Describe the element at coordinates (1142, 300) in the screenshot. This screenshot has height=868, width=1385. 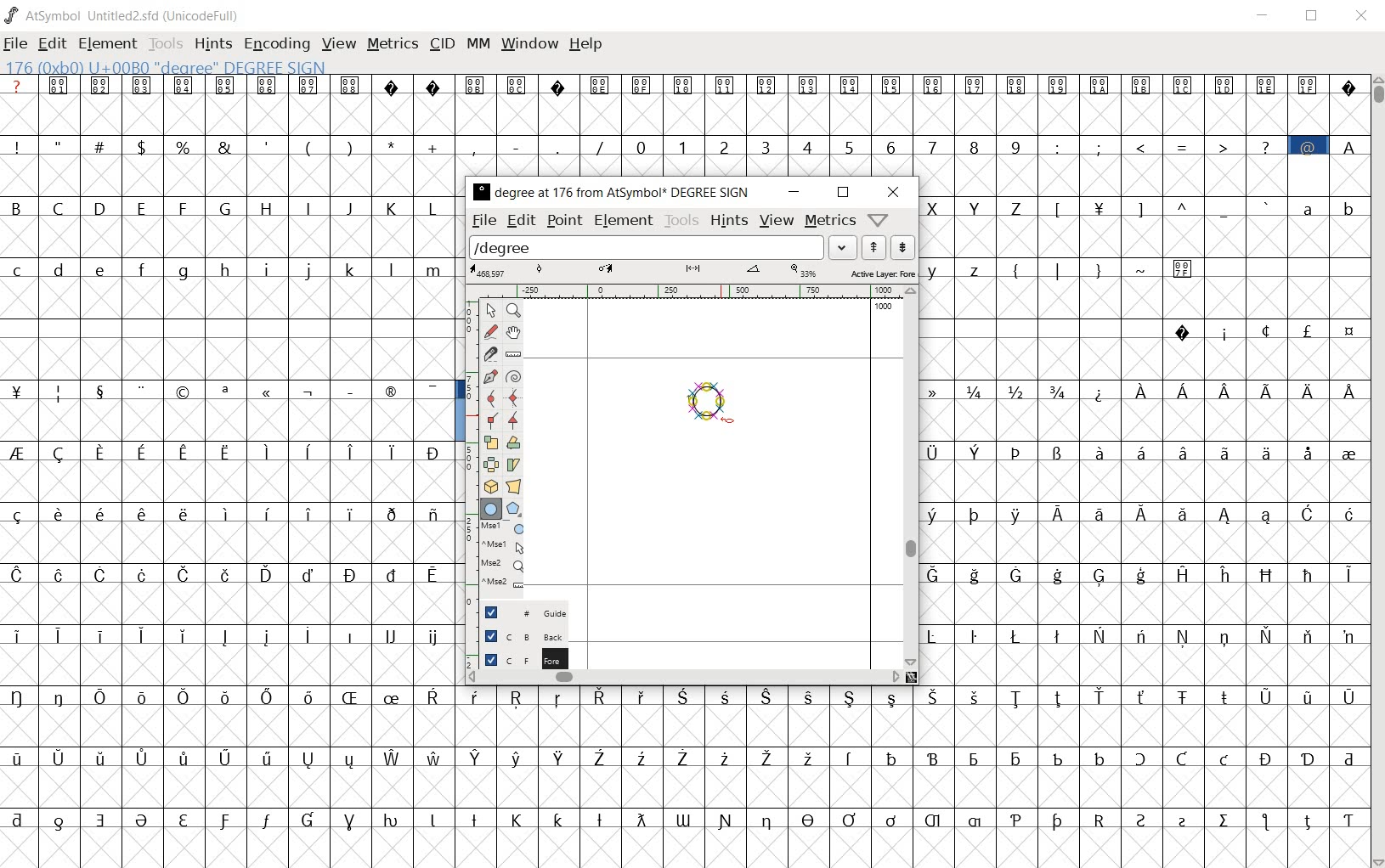
I see `empty glyph slots` at that location.